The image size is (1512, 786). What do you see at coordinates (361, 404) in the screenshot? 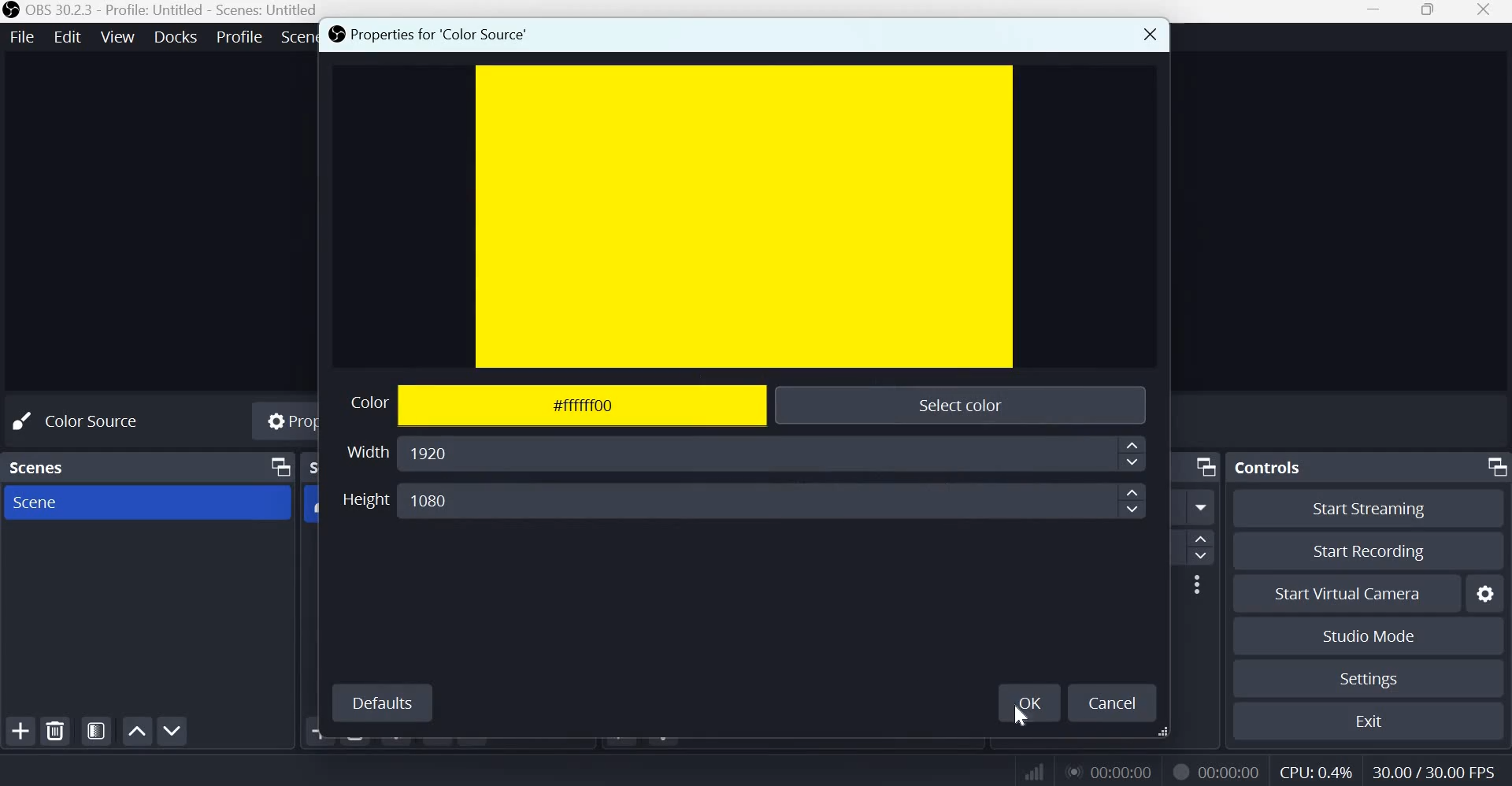
I see `Color` at bounding box center [361, 404].